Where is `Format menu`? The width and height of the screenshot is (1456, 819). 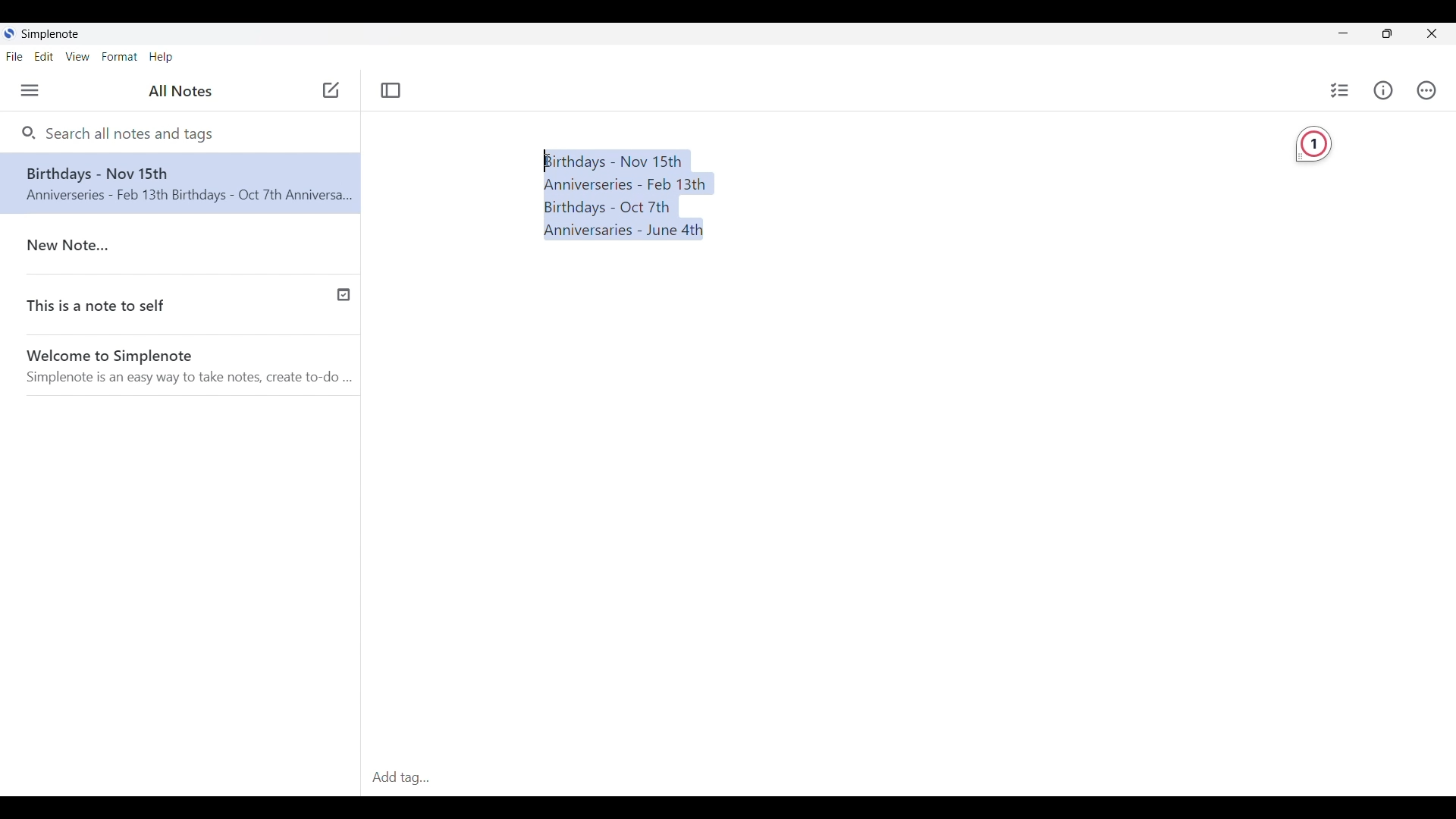 Format menu is located at coordinates (119, 56).